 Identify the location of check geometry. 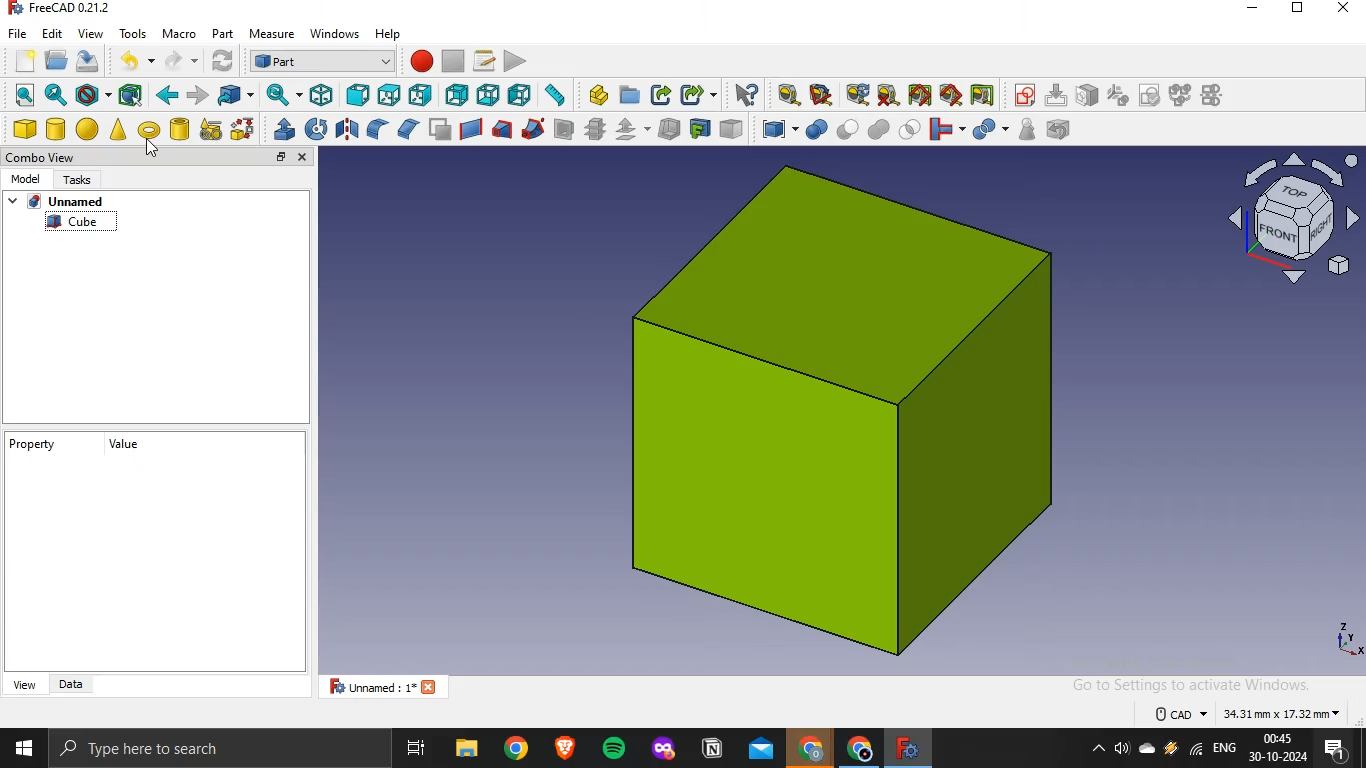
(1027, 130).